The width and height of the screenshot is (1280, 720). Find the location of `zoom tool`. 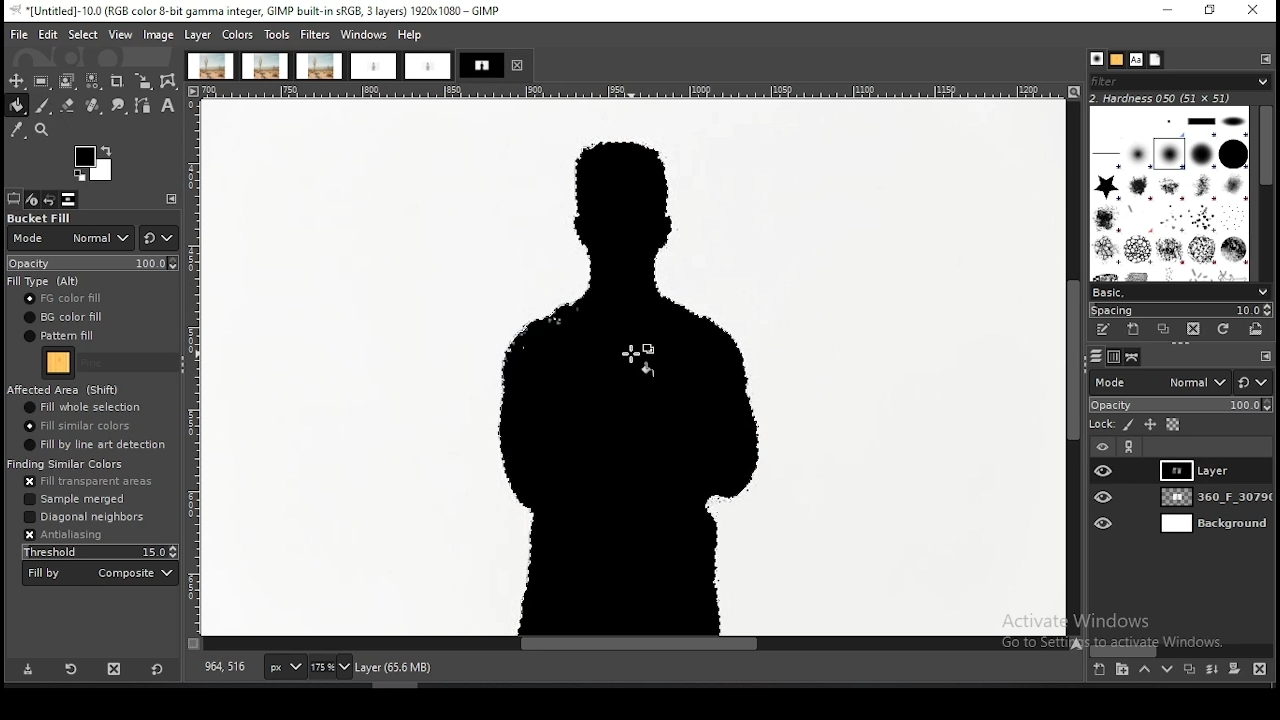

zoom tool is located at coordinates (40, 128).